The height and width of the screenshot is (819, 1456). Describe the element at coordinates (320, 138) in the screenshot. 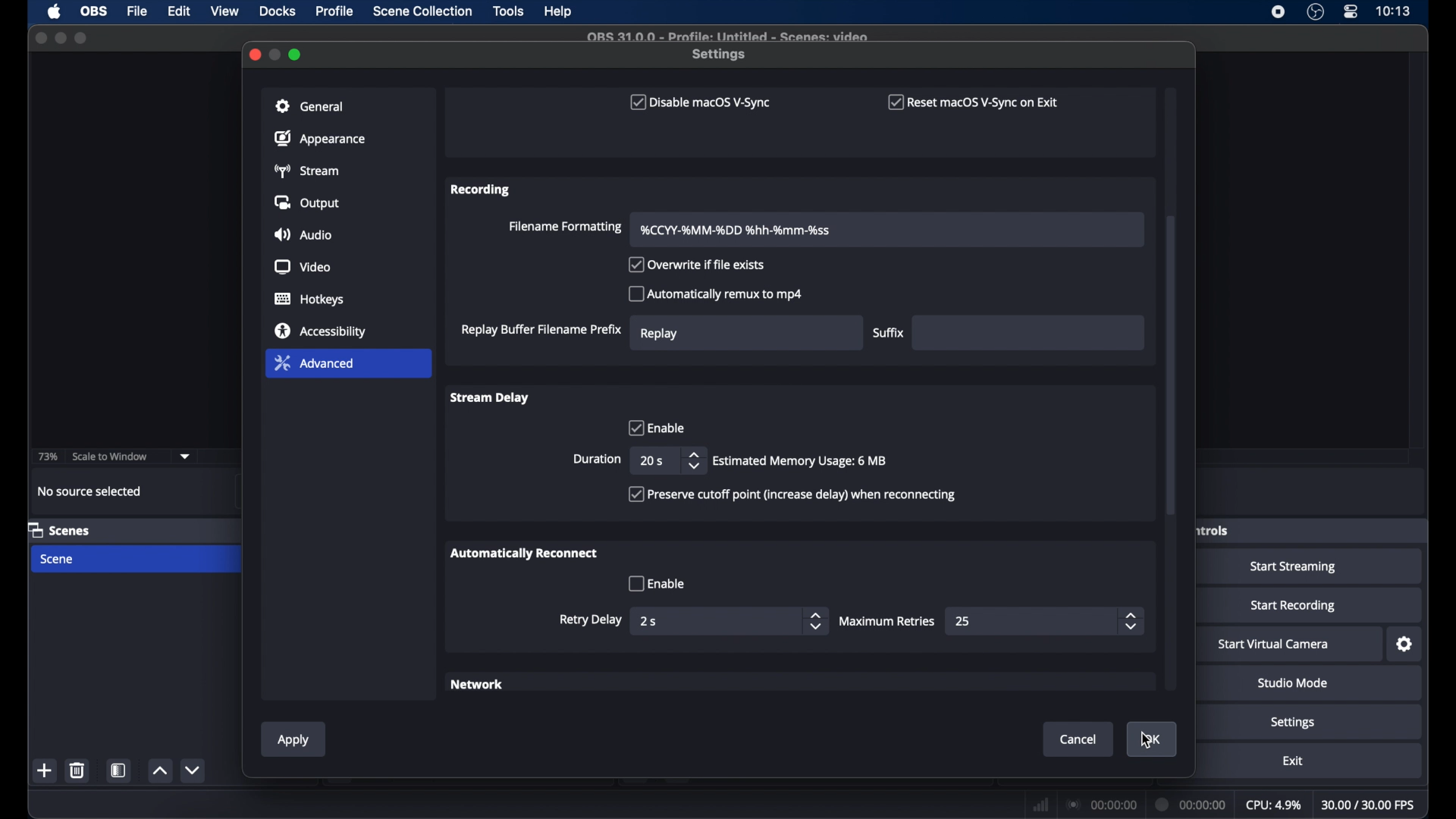

I see `appearance` at that location.